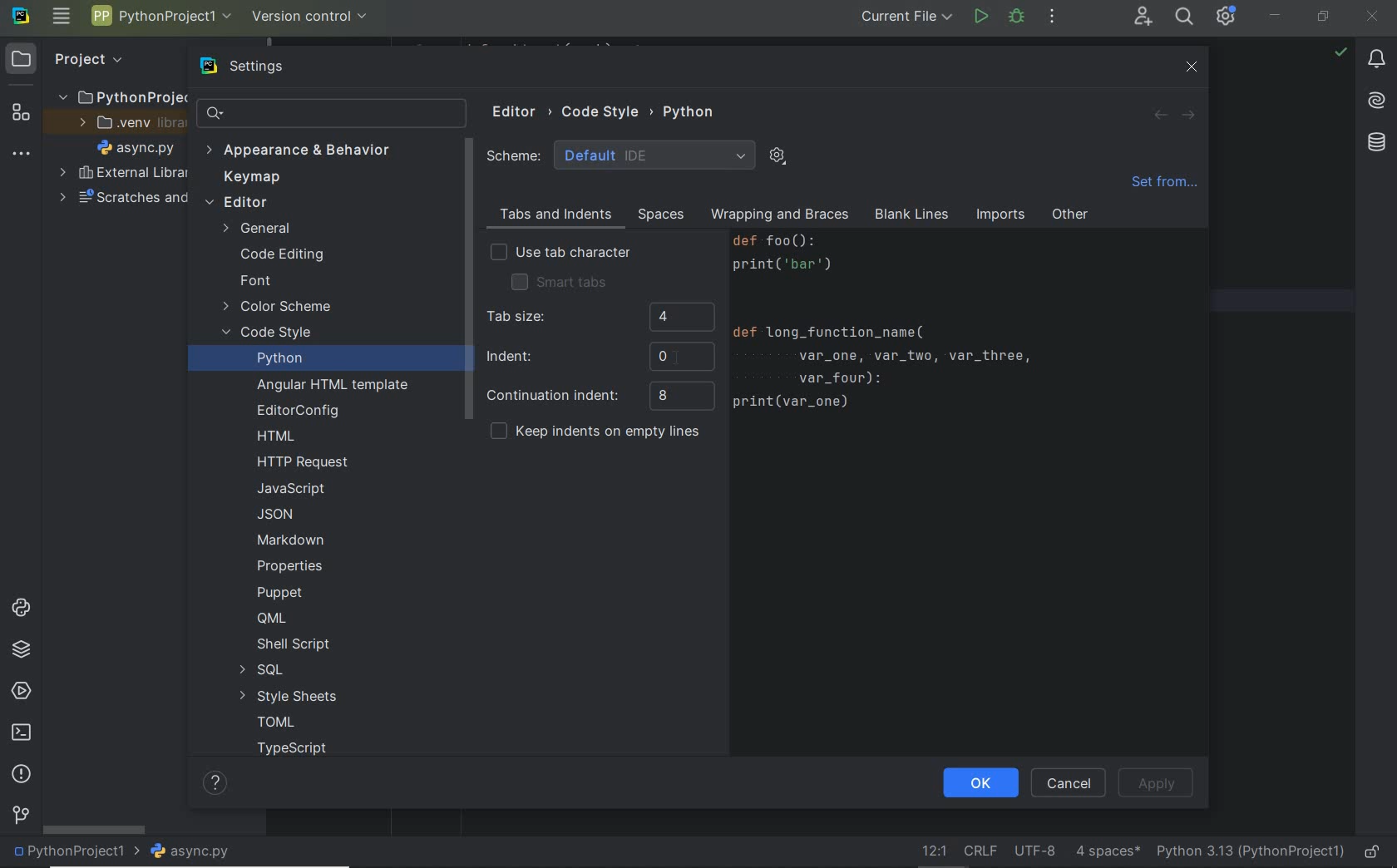 The width and height of the screenshot is (1397, 868). Describe the element at coordinates (912, 216) in the screenshot. I see `Blank Lines` at that location.